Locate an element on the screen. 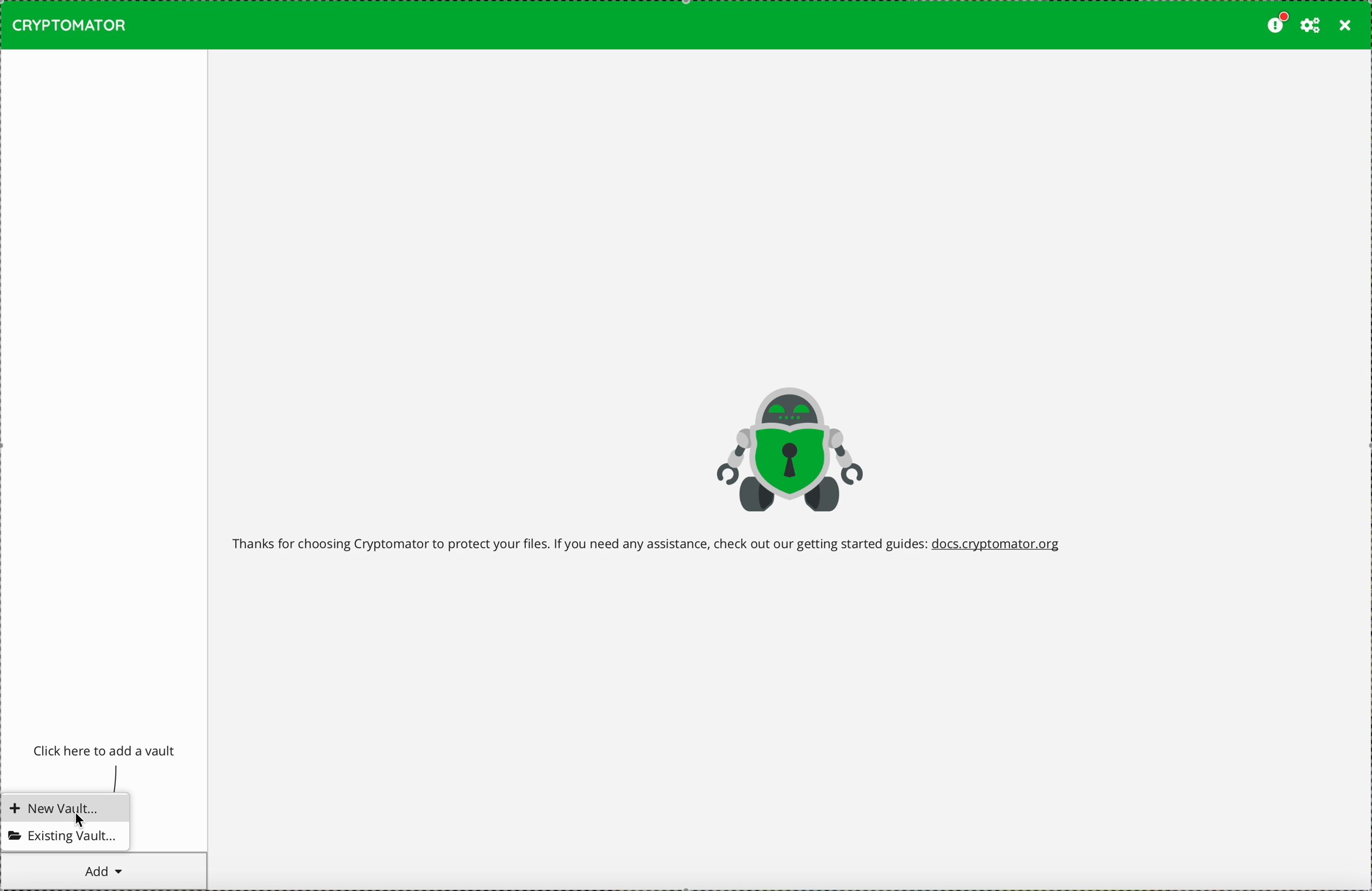 This screenshot has width=1372, height=891. cursor on add button is located at coordinates (103, 871).